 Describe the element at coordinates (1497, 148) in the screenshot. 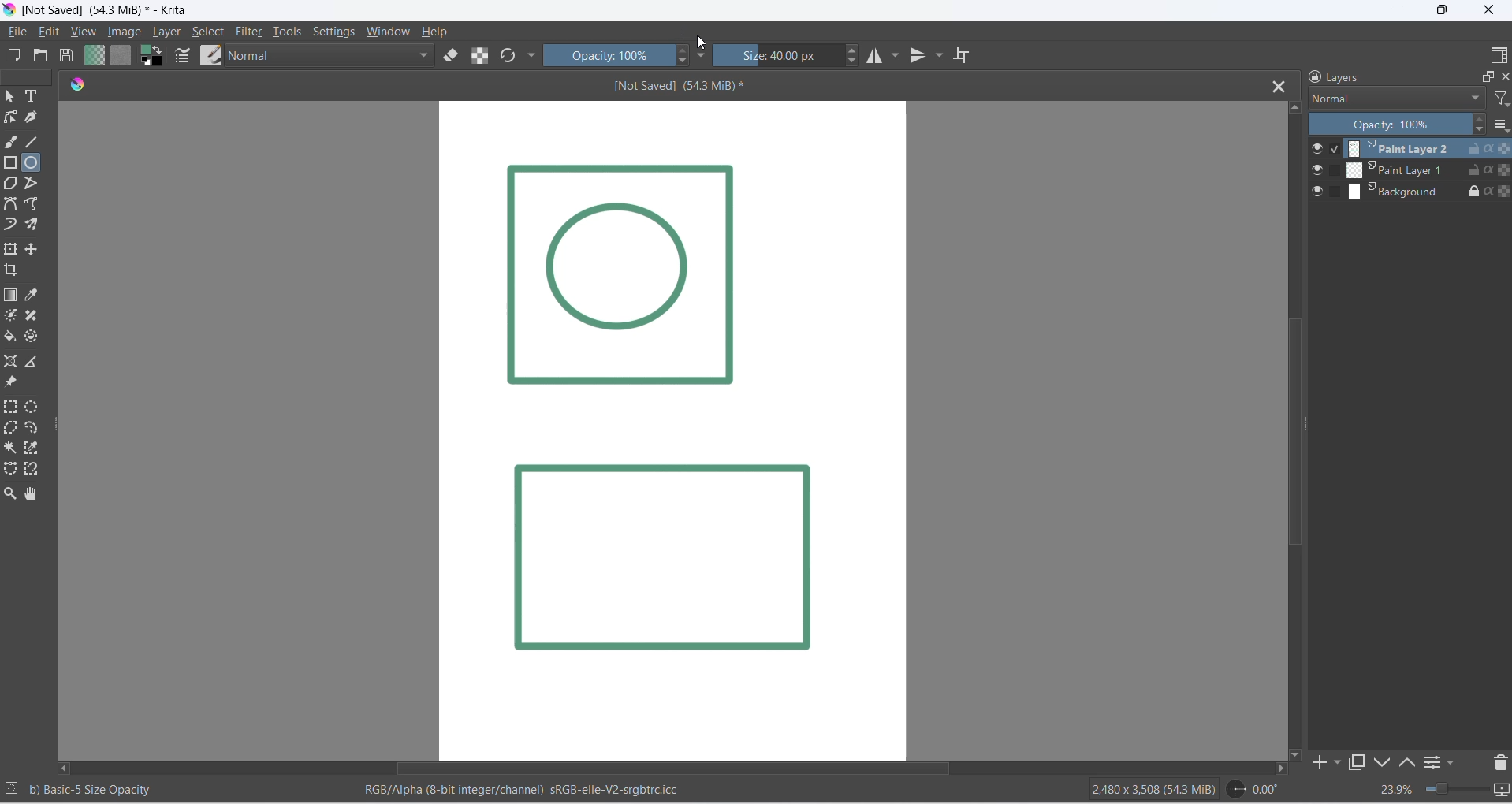

I see `preserve alpha` at that location.